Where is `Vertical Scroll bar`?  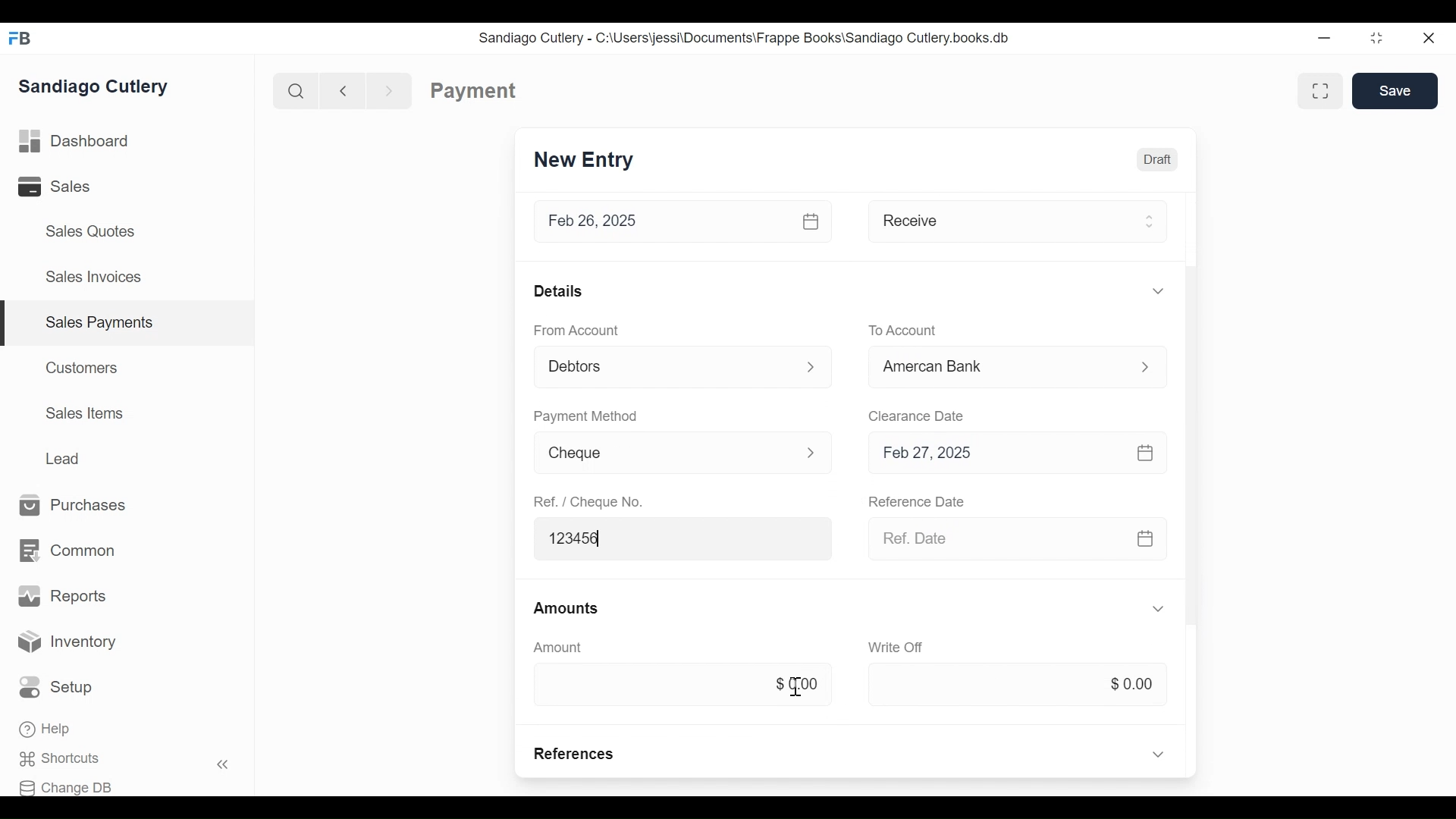 Vertical Scroll bar is located at coordinates (1189, 374).